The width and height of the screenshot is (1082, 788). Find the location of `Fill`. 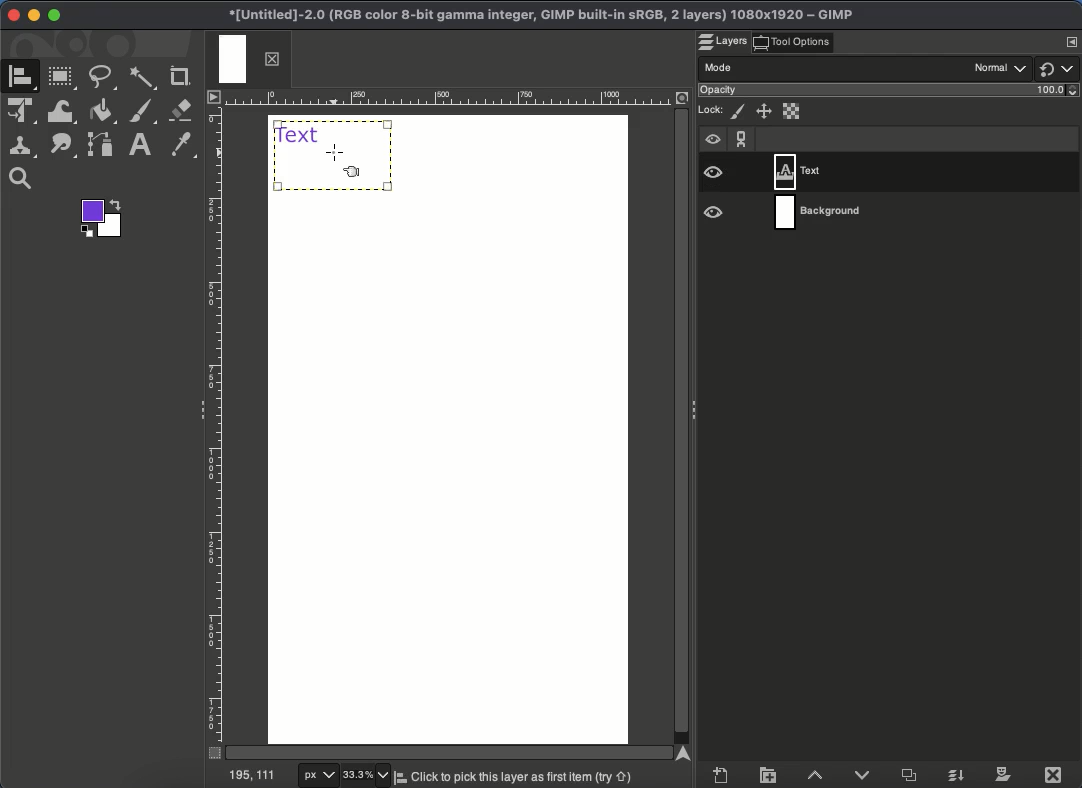

Fill is located at coordinates (101, 112).